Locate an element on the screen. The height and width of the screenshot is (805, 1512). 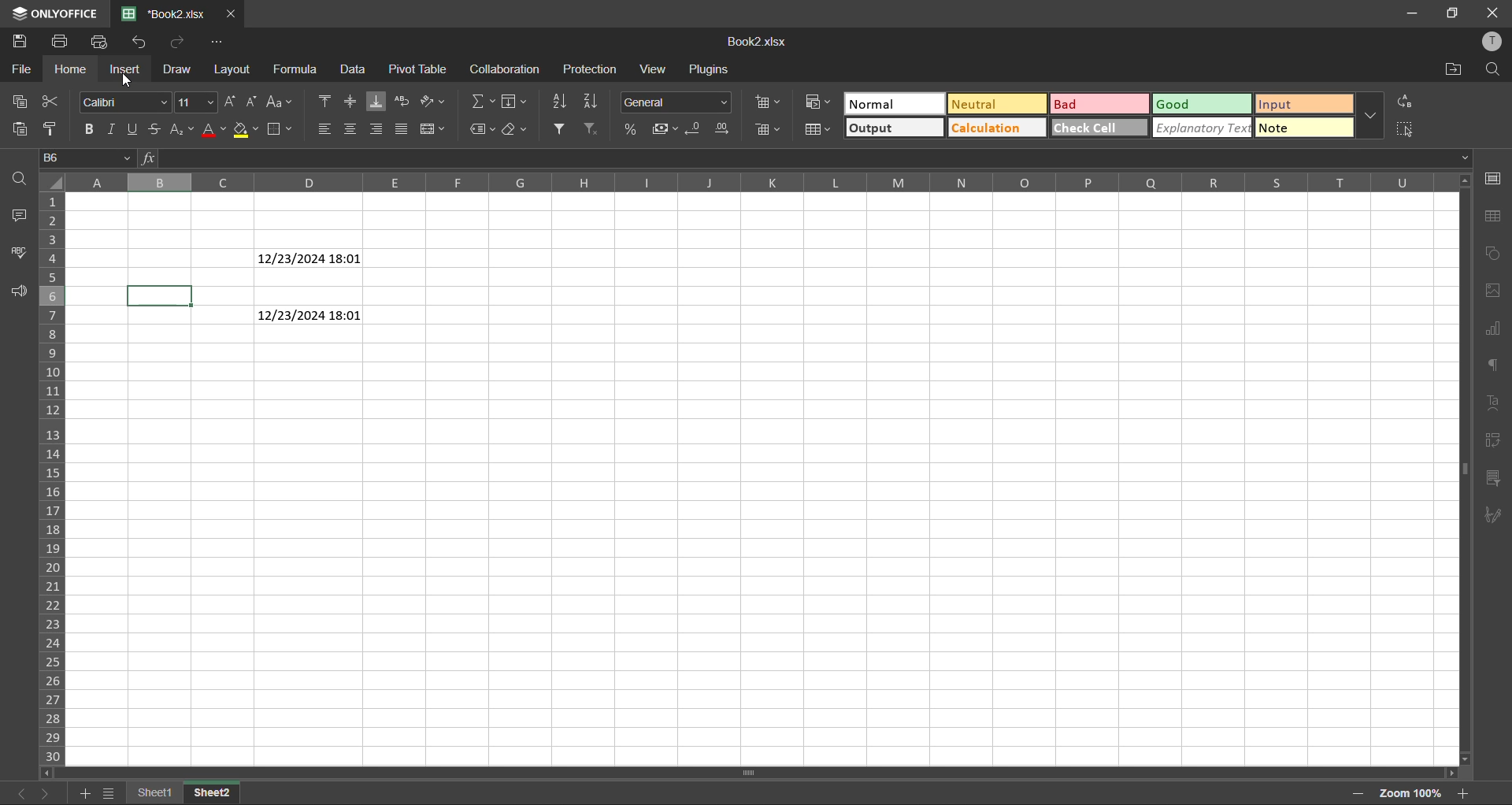
pivot table is located at coordinates (1492, 444).